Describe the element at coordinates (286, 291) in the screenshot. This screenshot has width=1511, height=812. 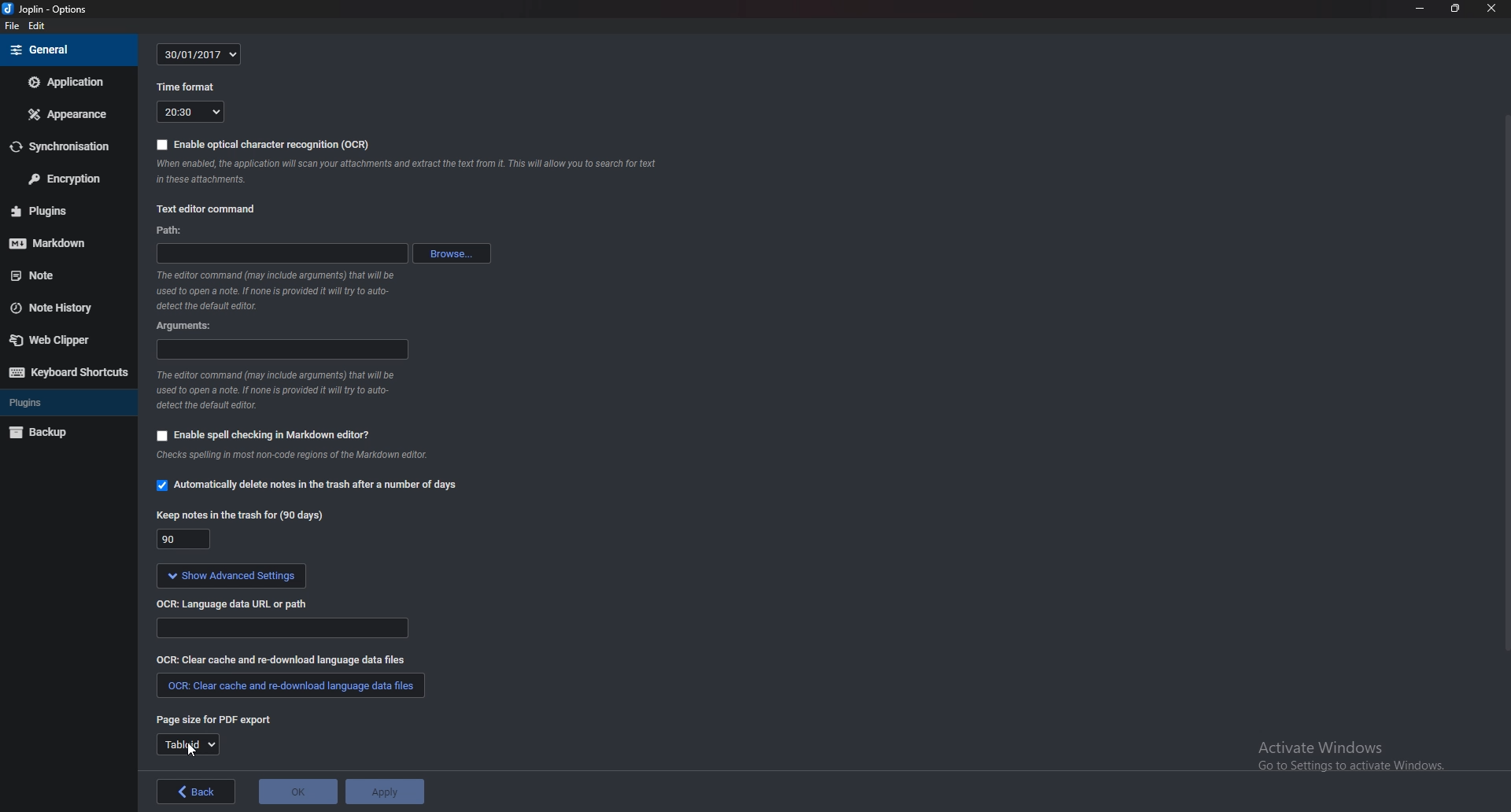
I see `info` at that location.